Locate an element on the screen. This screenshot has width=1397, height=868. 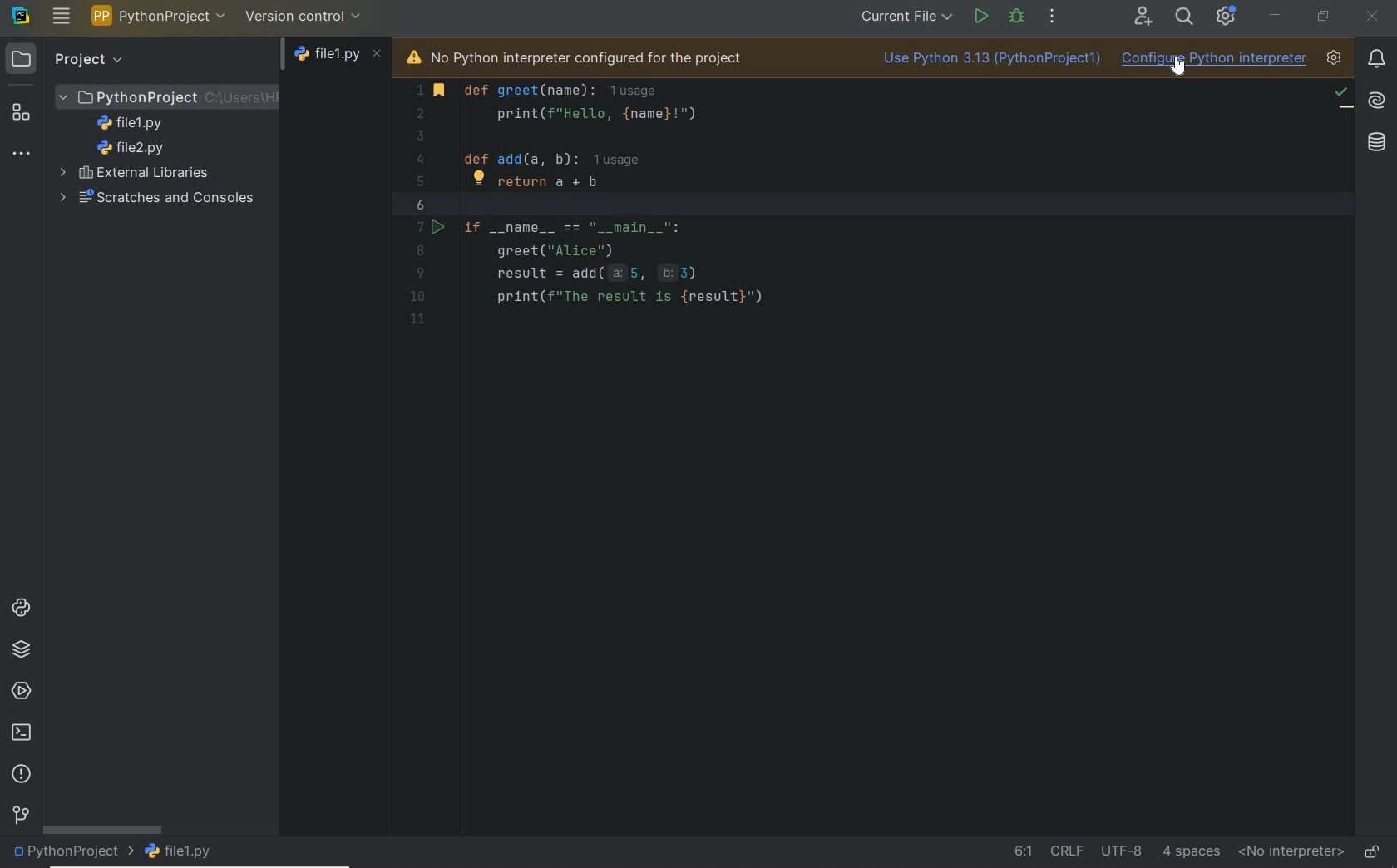
notifications is located at coordinates (1376, 58).